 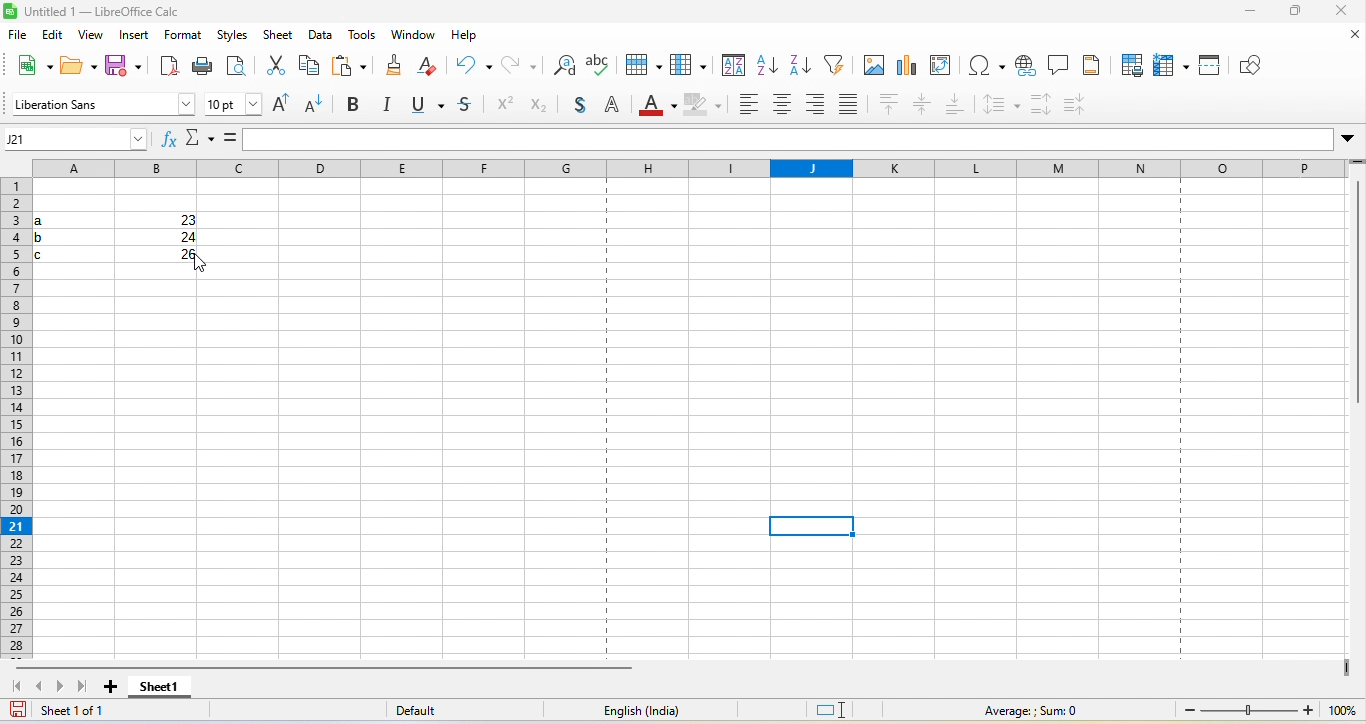 I want to click on header and footer, so click(x=1092, y=66).